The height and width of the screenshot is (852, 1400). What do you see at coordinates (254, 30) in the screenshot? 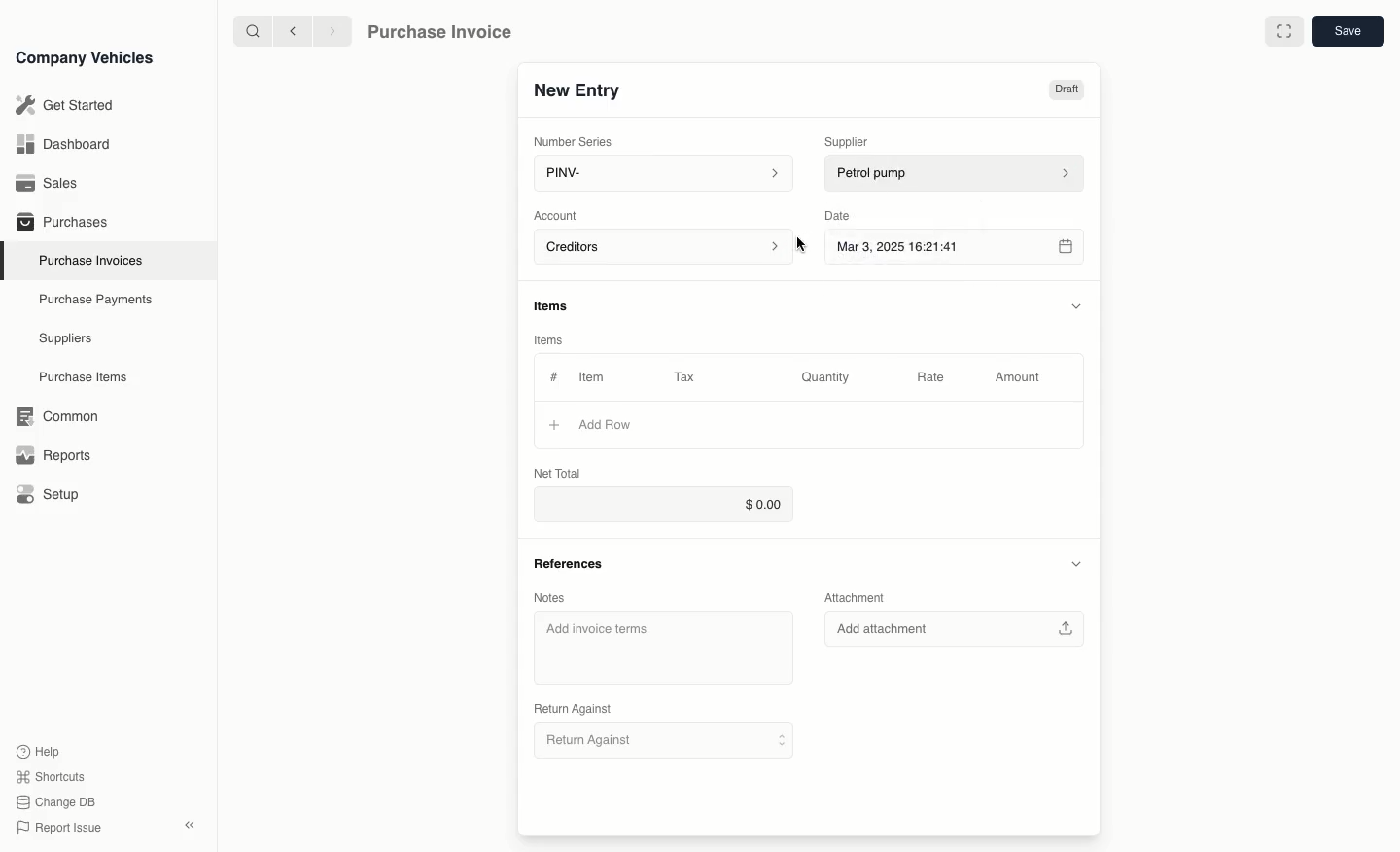
I see `search` at bounding box center [254, 30].